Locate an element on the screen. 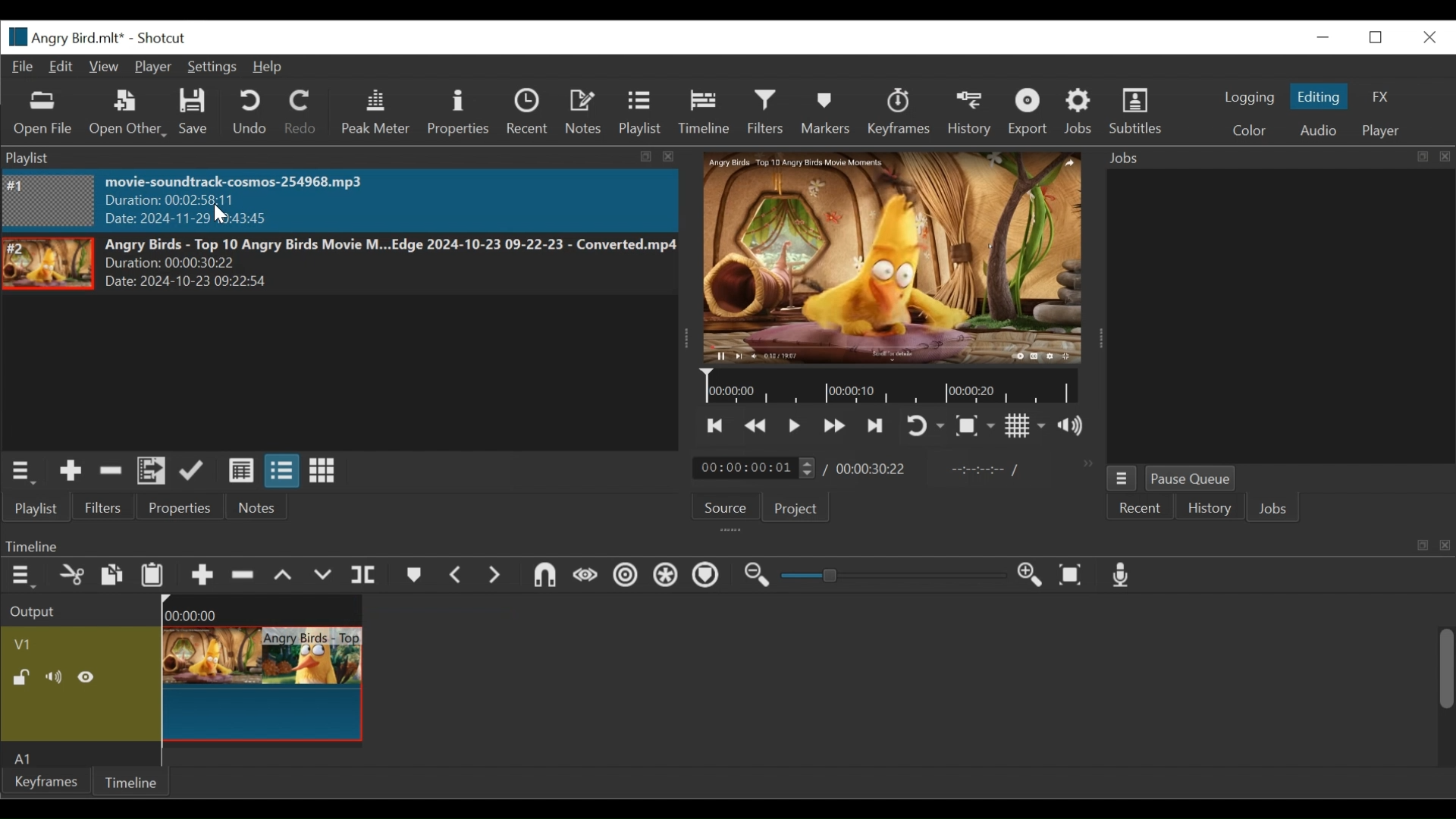 The image size is (1456, 819). Restore is located at coordinates (1378, 36).